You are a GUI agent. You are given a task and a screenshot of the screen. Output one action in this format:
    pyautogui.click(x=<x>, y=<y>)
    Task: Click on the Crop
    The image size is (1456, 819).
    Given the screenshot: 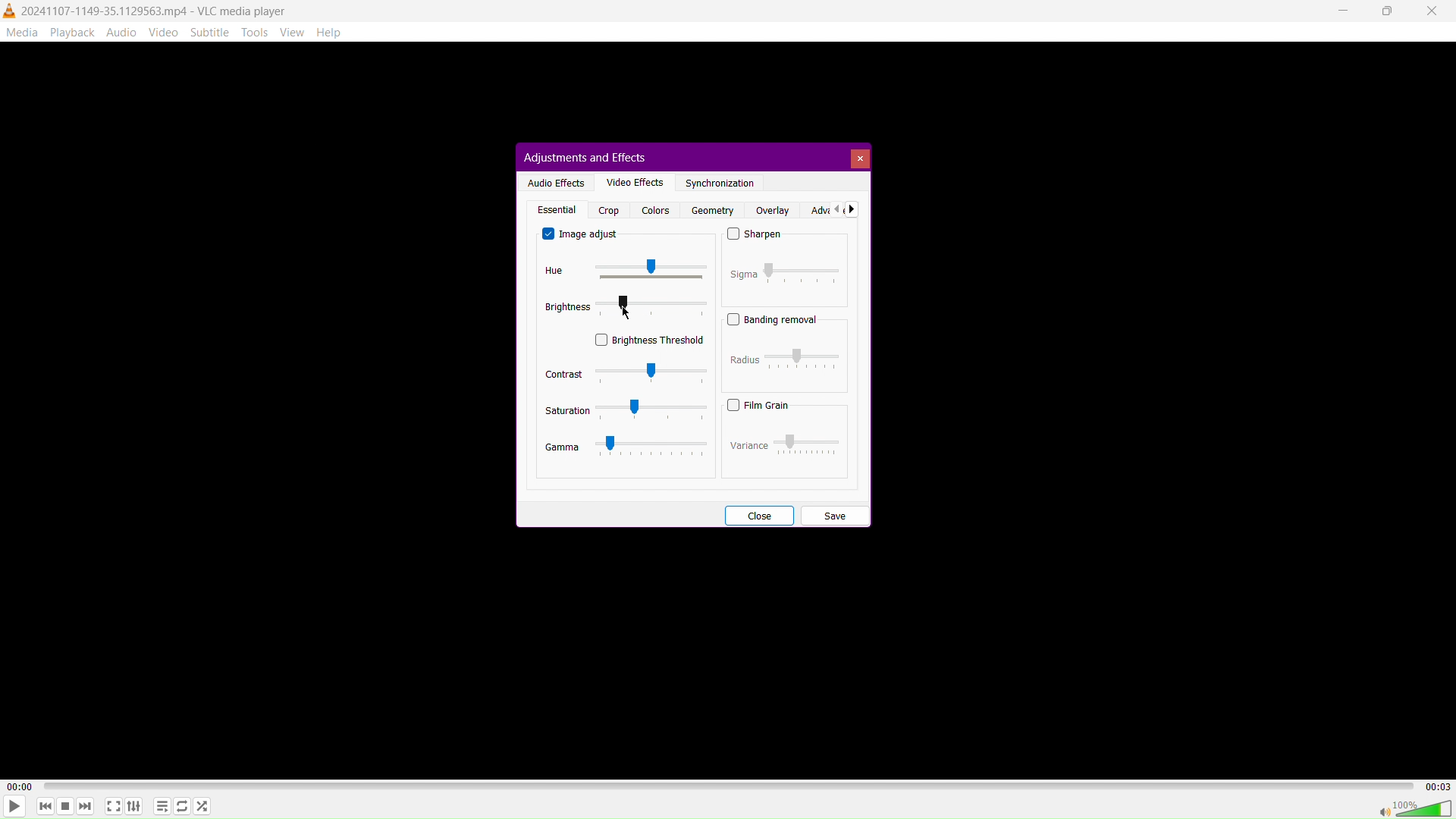 What is the action you would take?
    pyautogui.click(x=609, y=210)
    